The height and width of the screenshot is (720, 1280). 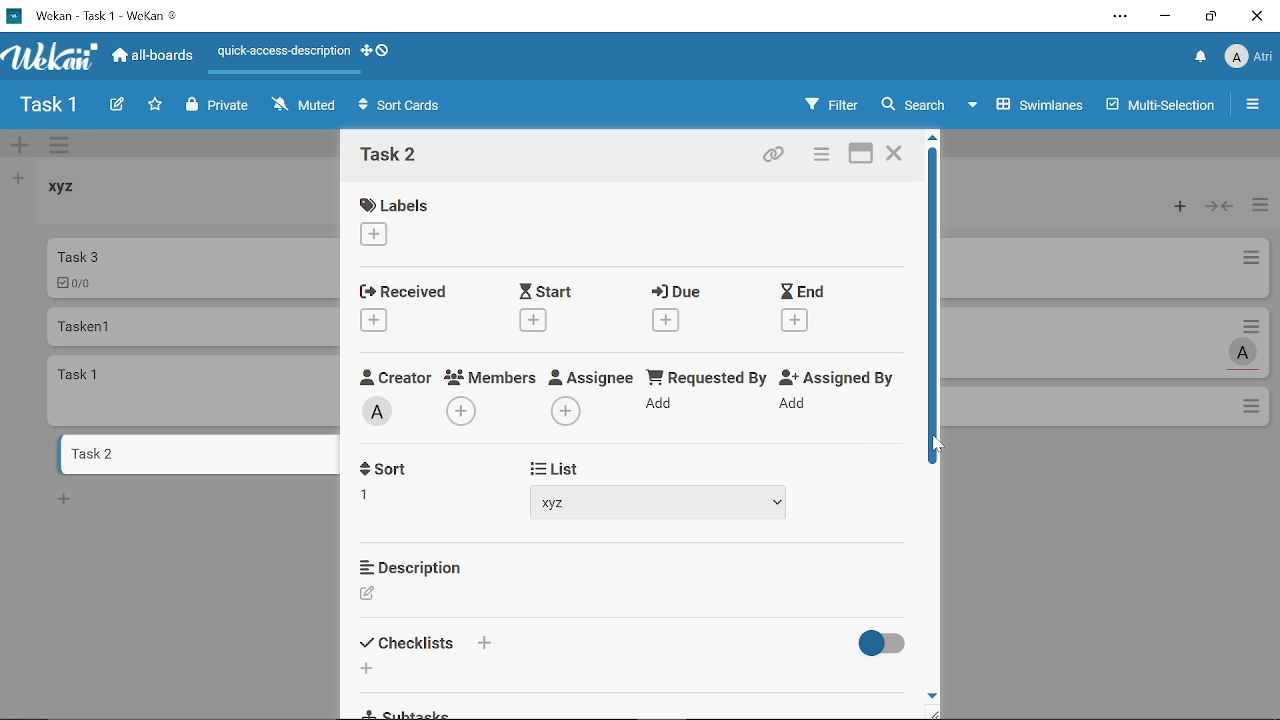 I want to click on Labels, so click(x=396, y=203).